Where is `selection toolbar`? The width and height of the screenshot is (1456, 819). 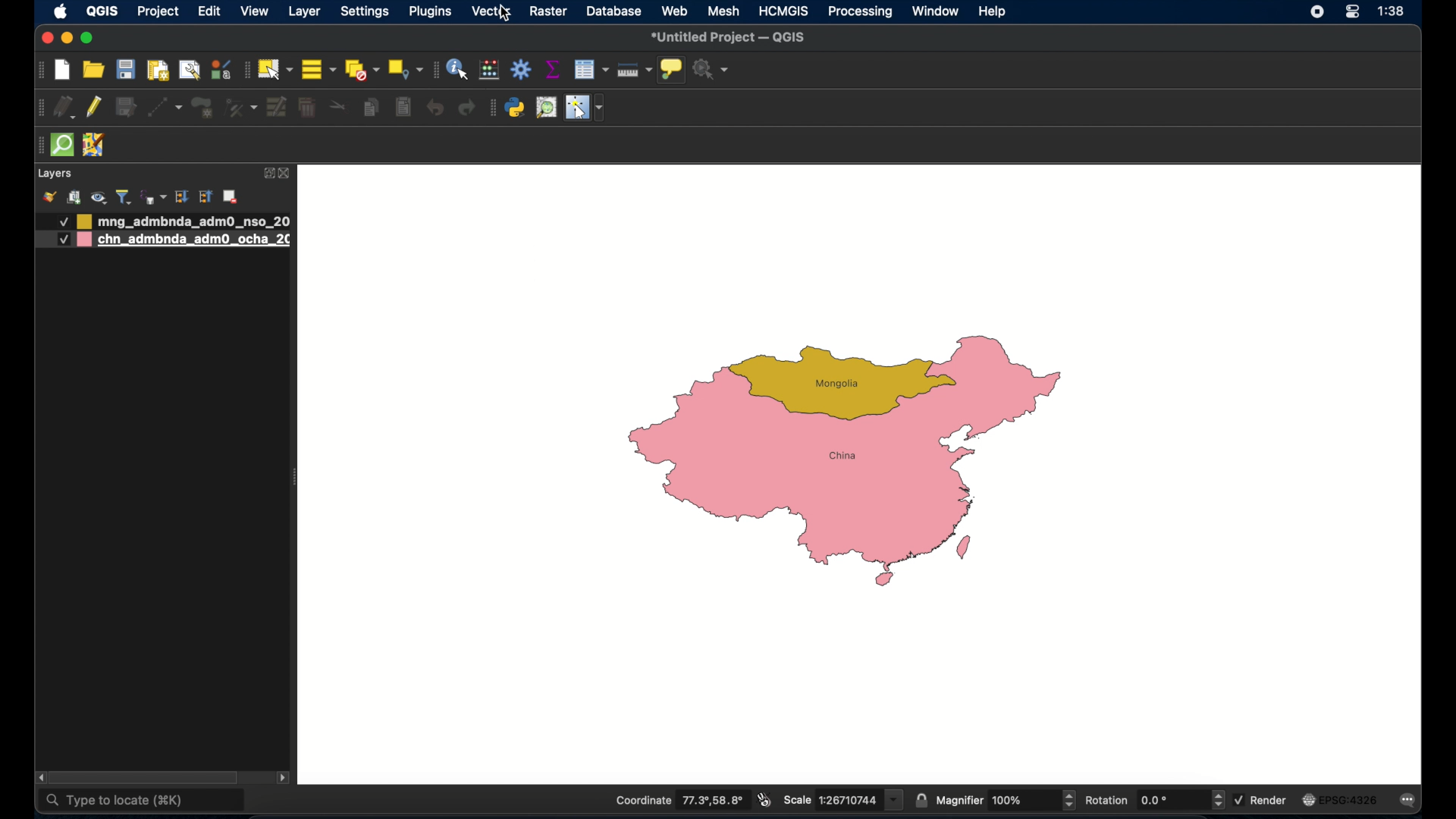
selection toolbar is located at coordinates (243, 70).